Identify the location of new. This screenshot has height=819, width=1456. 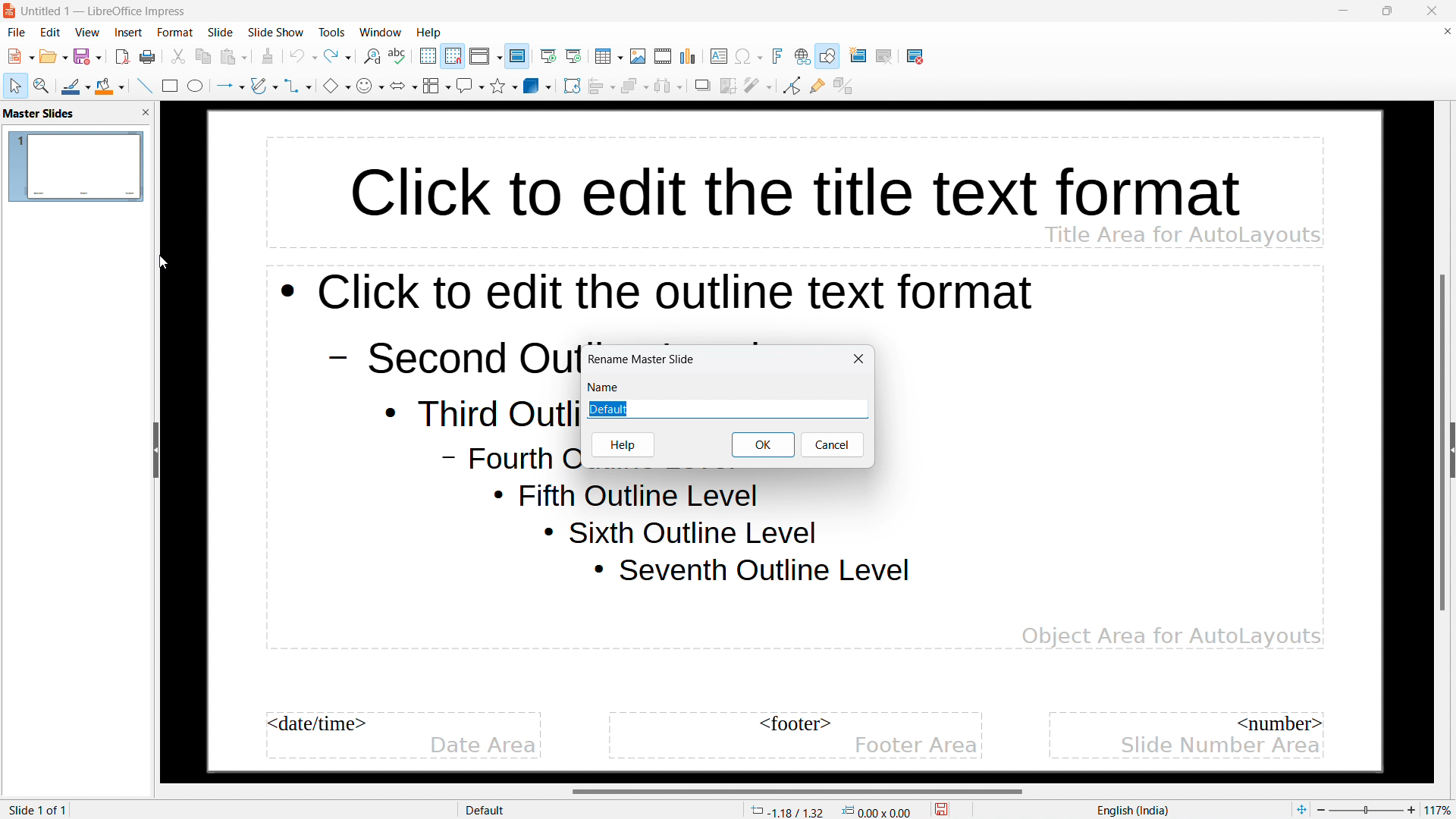
(21, 56).